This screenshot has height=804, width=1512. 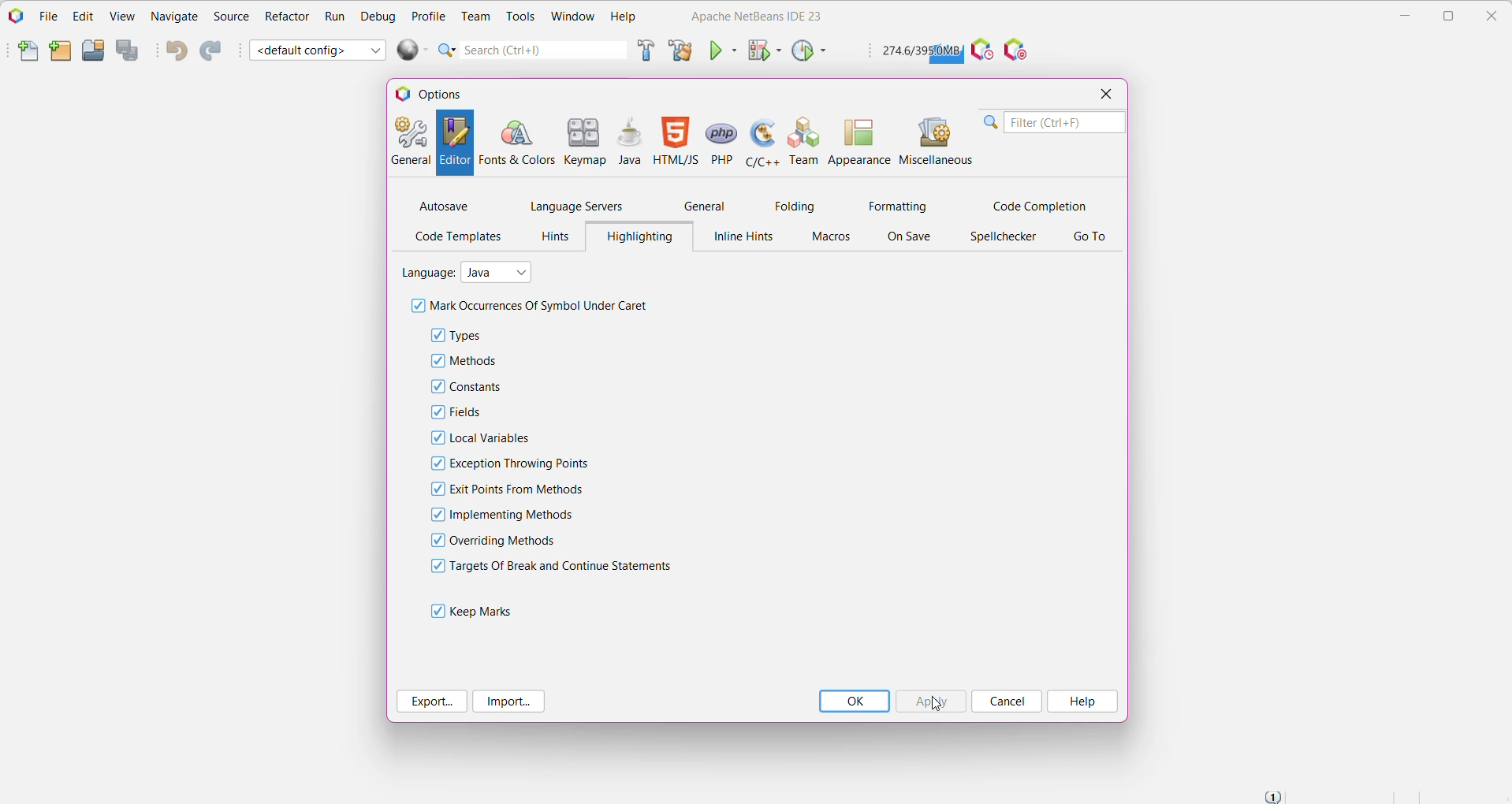 I want to click on Exception Throwing Points - click to enable, so click(x=524, y=464).